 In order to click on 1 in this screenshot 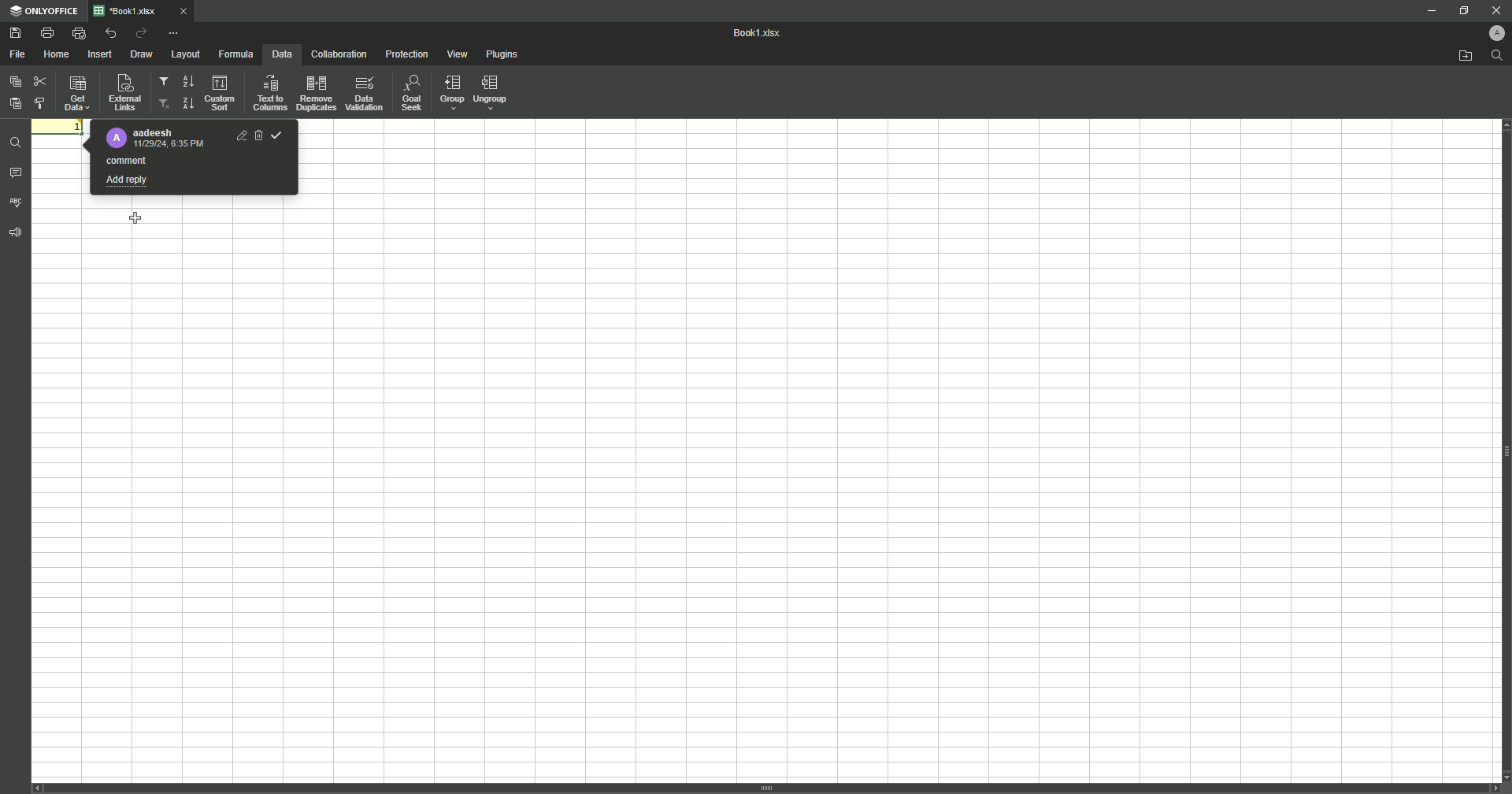, I will do `click(60, 126)`.